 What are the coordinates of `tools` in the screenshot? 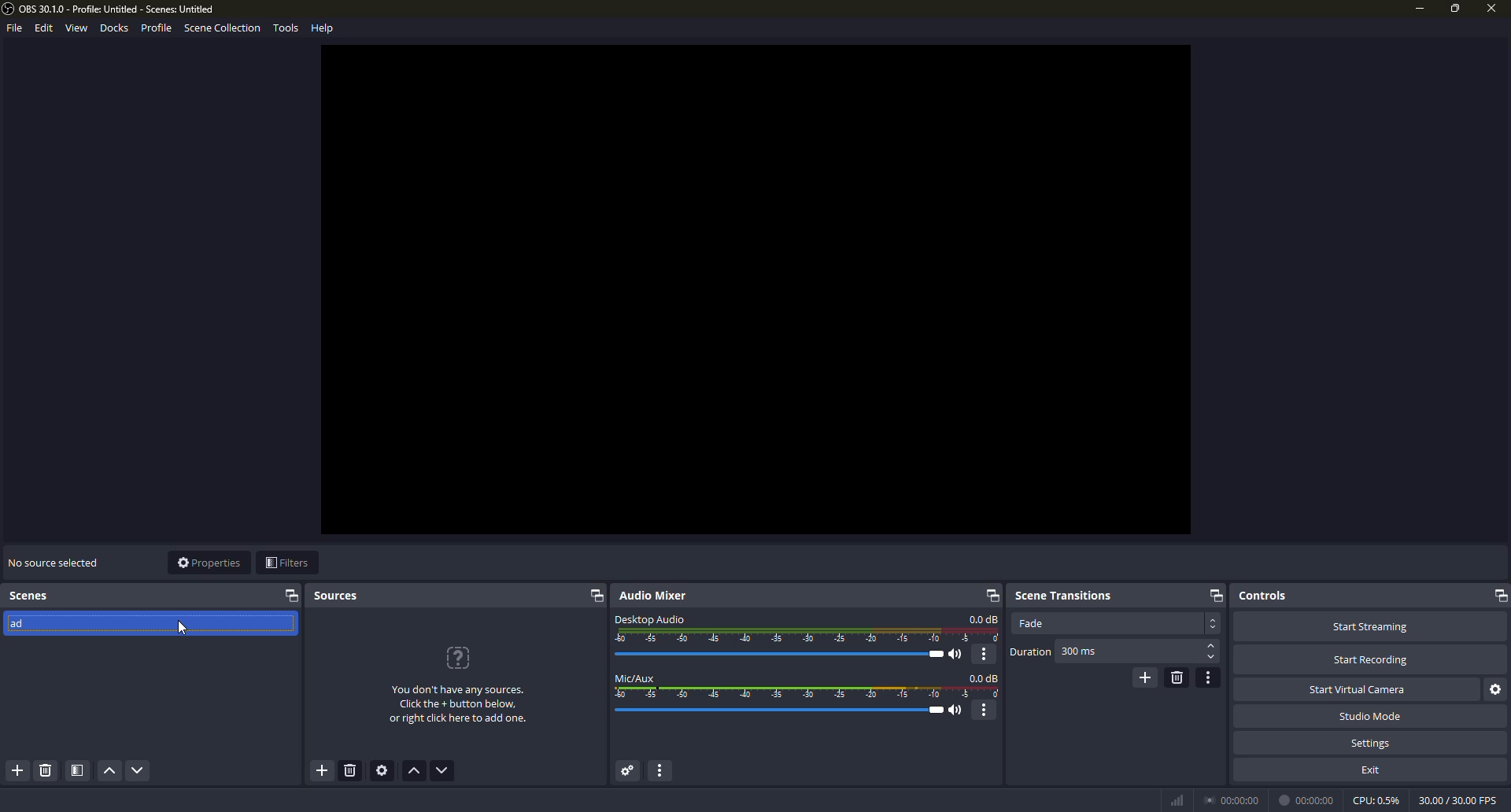 It's located at (286, 29).